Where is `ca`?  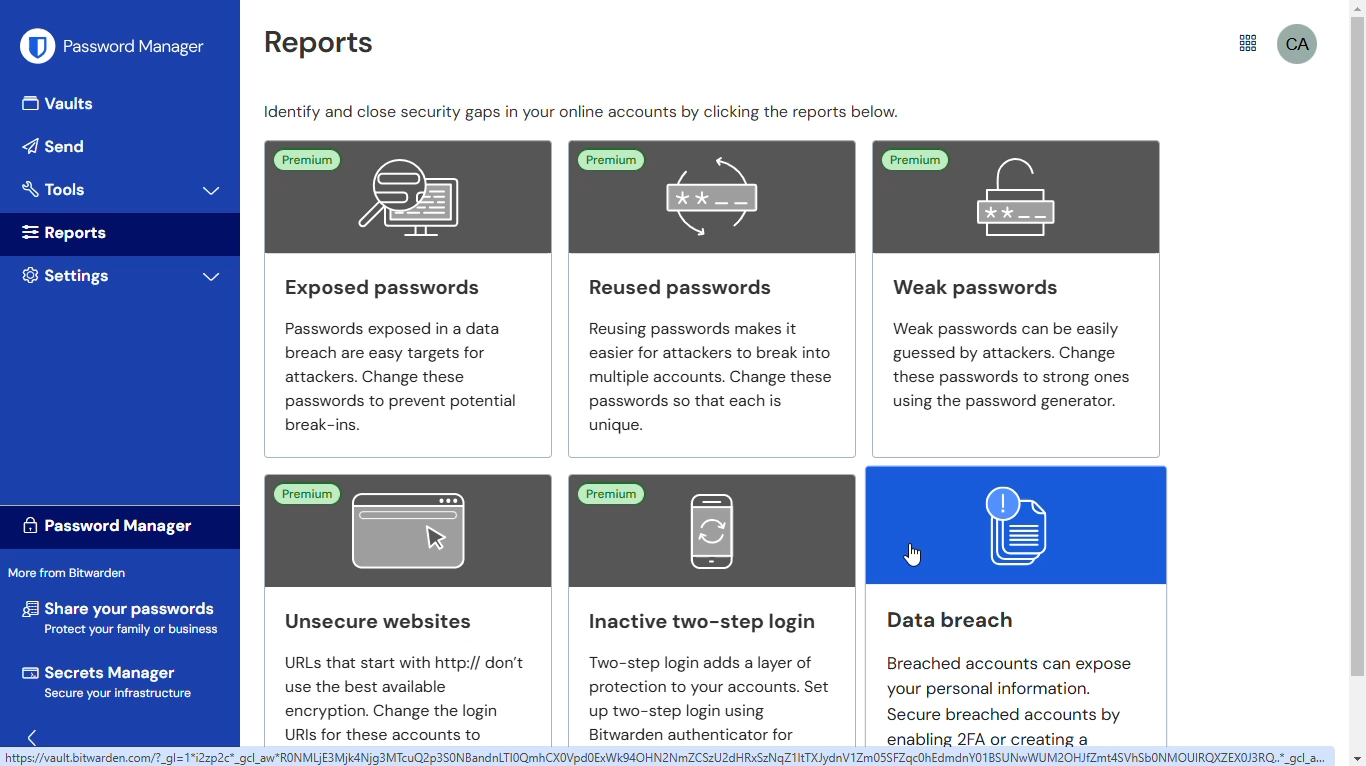
ca is located at coordinates (1299, 43).